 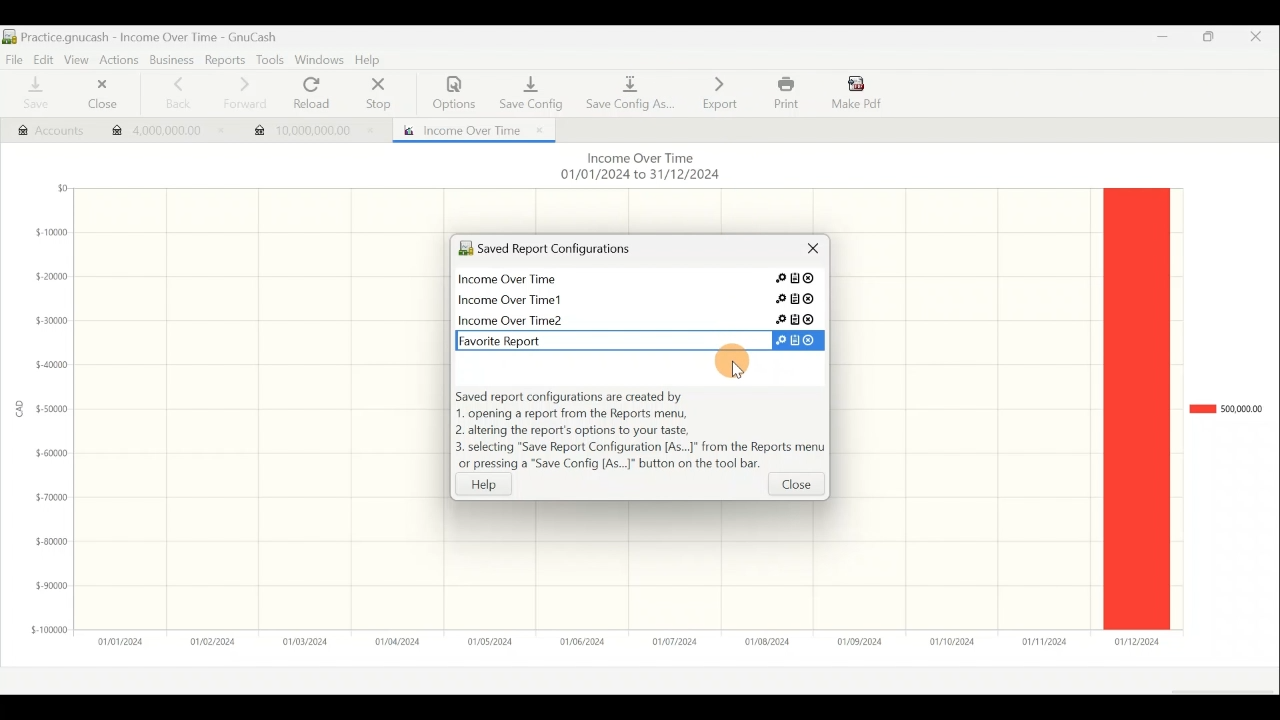 I want to click on Forward, so click(x=243, y=93).